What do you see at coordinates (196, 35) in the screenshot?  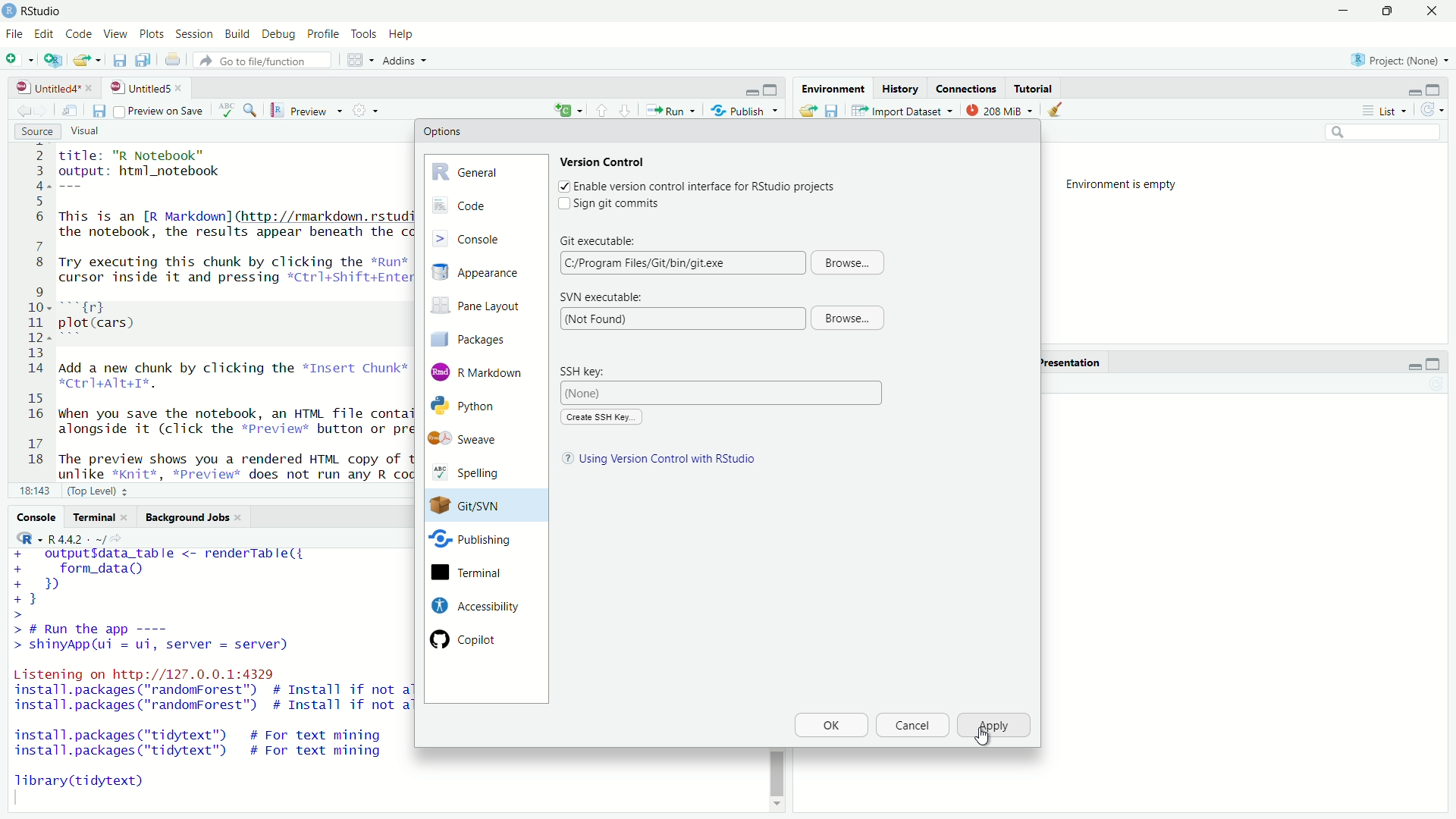 I see `Session` at bounding box center [196, 35].